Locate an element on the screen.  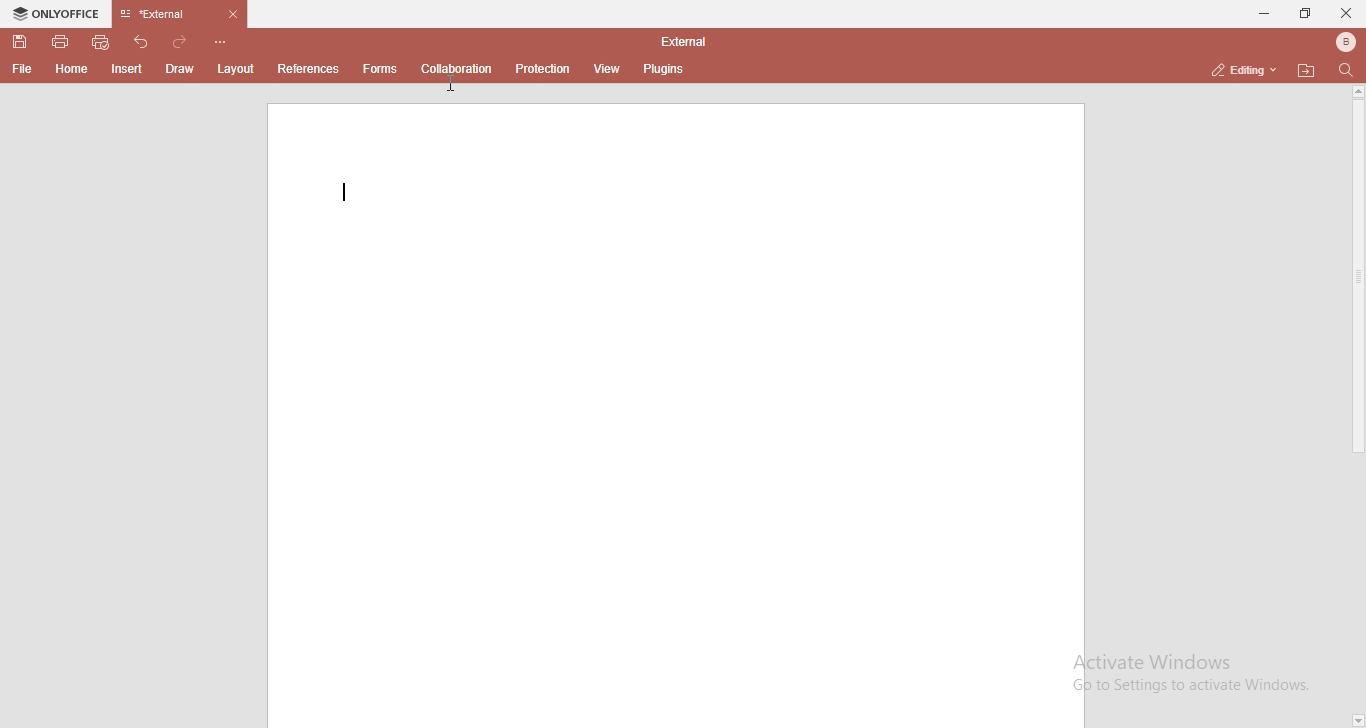
forms is located at coordinates (383, 69).